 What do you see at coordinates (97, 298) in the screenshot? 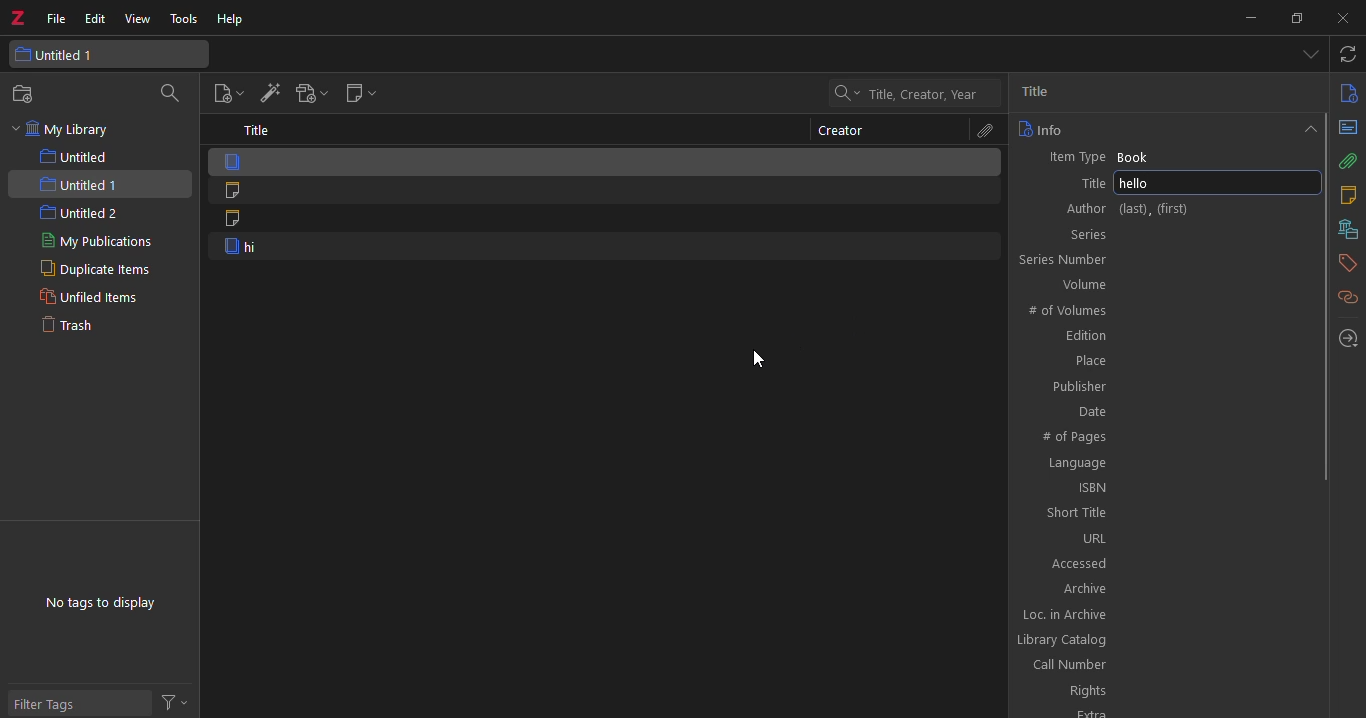
I see `unfiled items` at bounding box center [97, 298].